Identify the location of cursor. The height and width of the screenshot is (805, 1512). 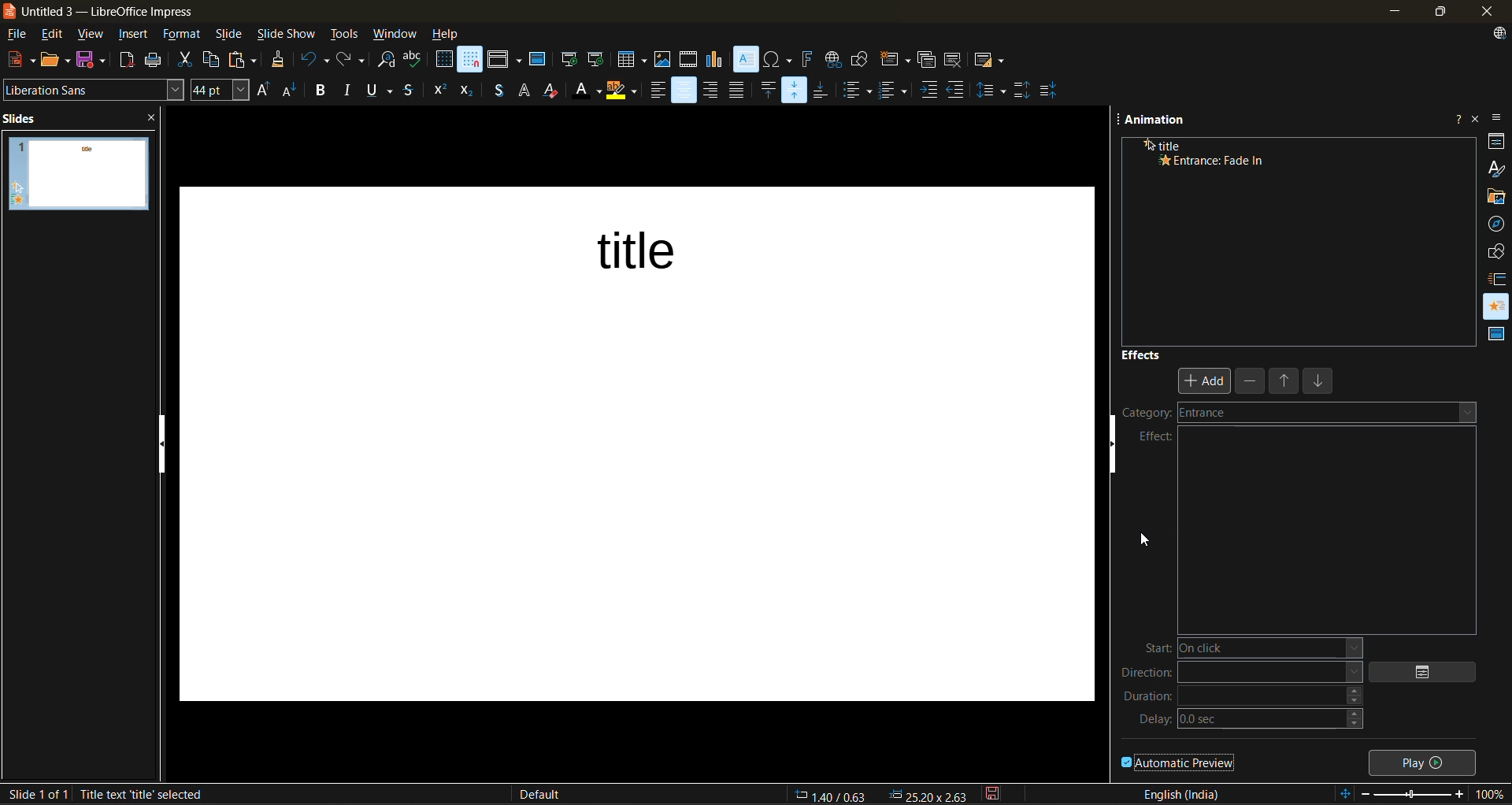
(1144, 543).